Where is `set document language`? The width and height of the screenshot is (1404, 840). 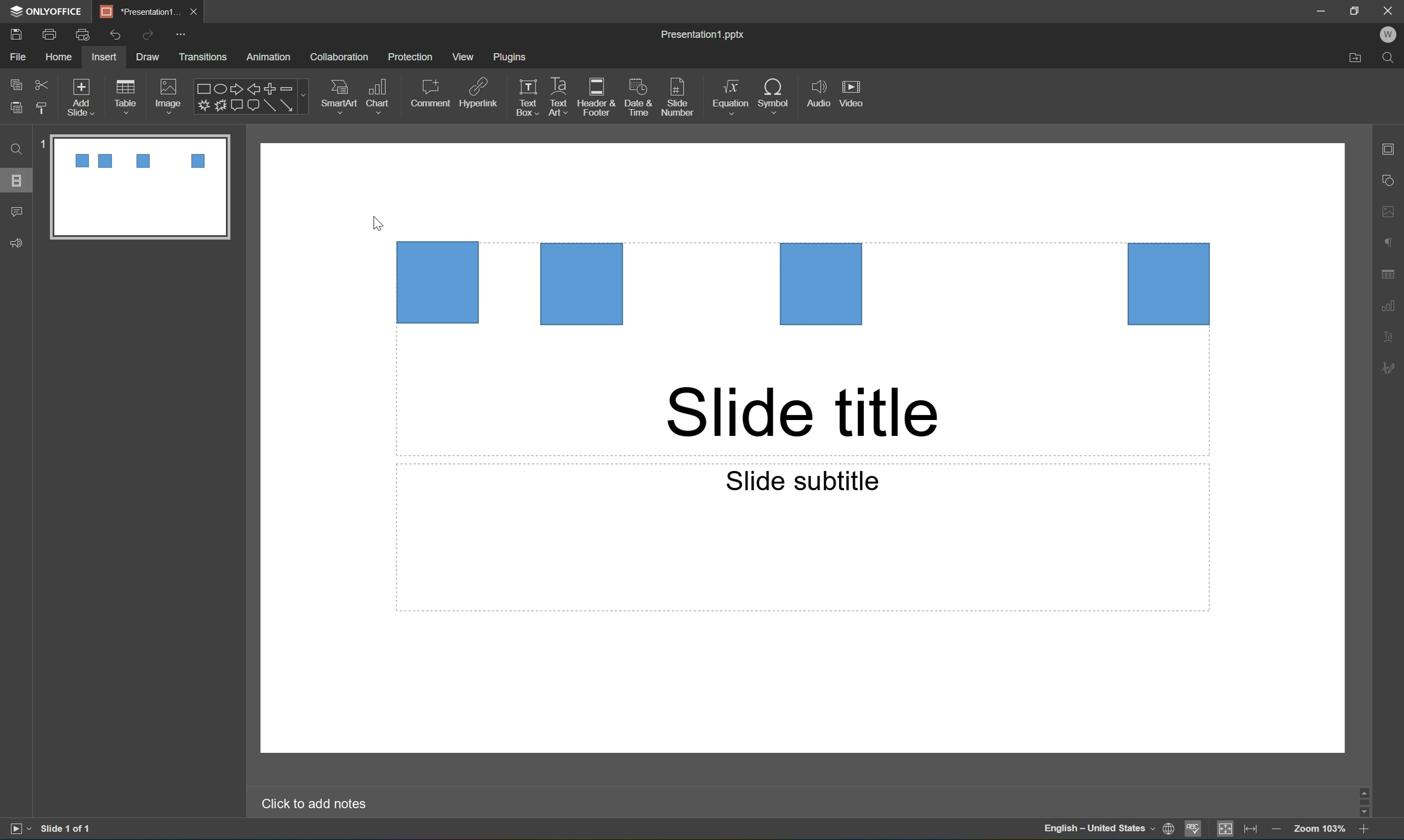 set document language is located at coordinates (1107, 831).